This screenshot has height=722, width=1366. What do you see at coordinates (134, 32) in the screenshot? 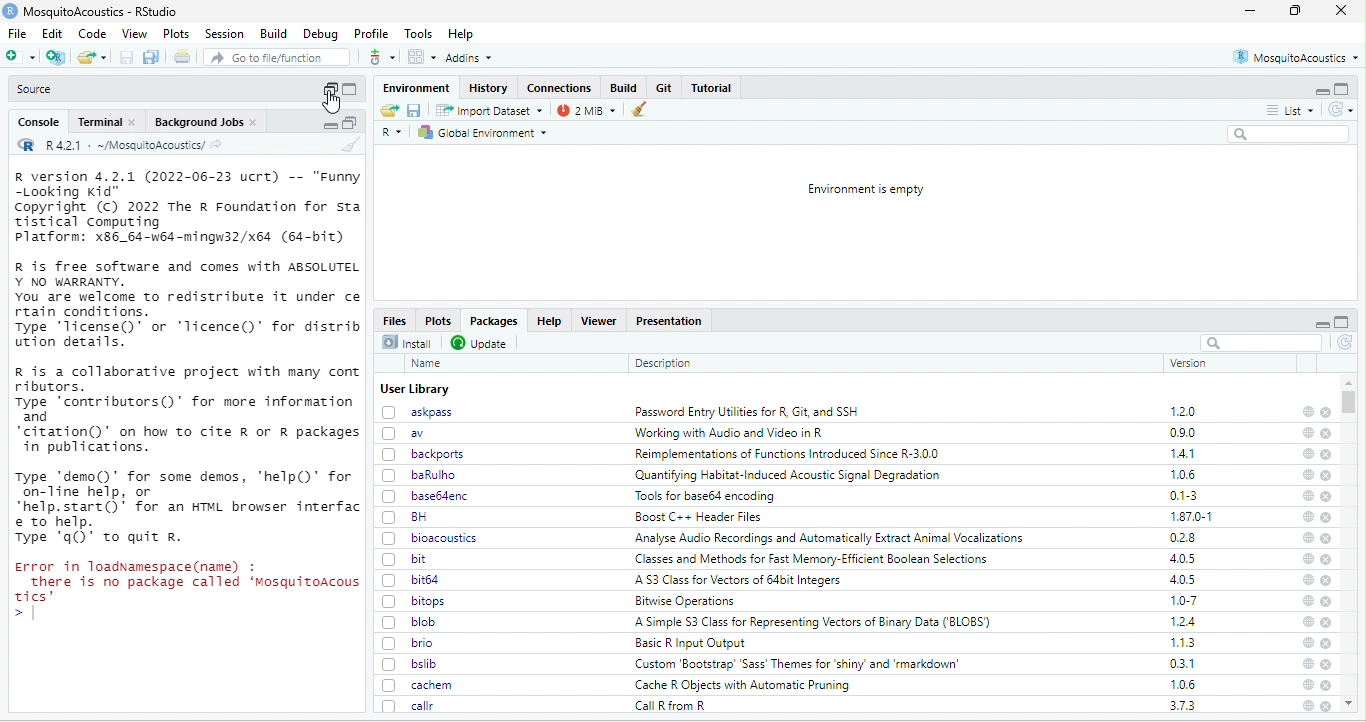
I see `View` at bounding box center [134, 32].